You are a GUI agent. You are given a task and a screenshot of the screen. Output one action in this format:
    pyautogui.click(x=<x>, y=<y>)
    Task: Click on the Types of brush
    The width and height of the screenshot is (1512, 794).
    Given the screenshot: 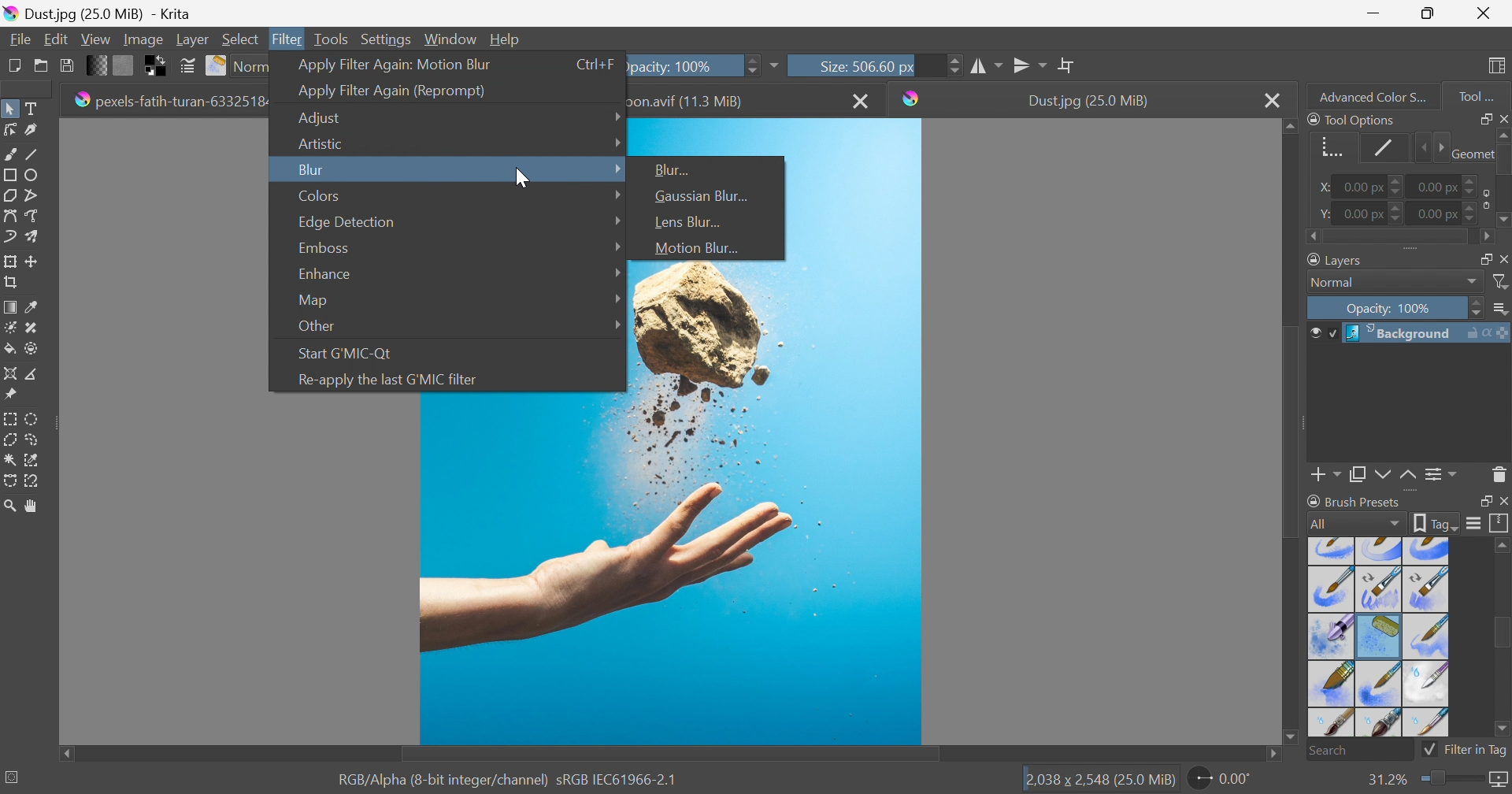 What is the action you would take?
    pyautogui.click(x=1376, y=636)
    